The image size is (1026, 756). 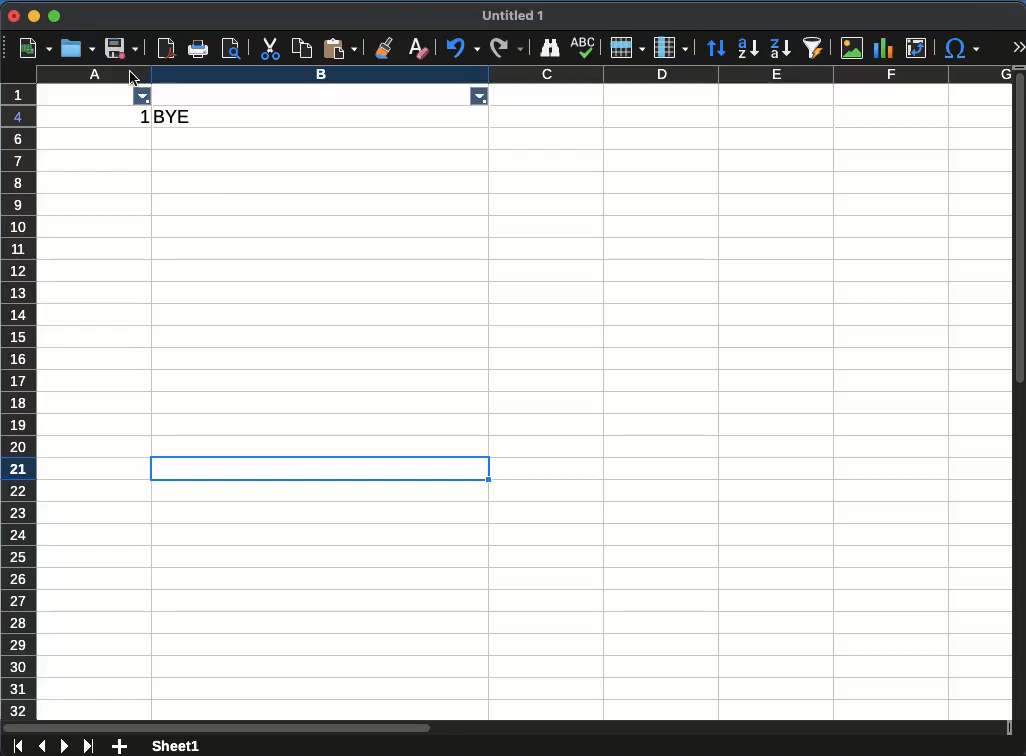 I want to click on add, so click(x=119, y=746).